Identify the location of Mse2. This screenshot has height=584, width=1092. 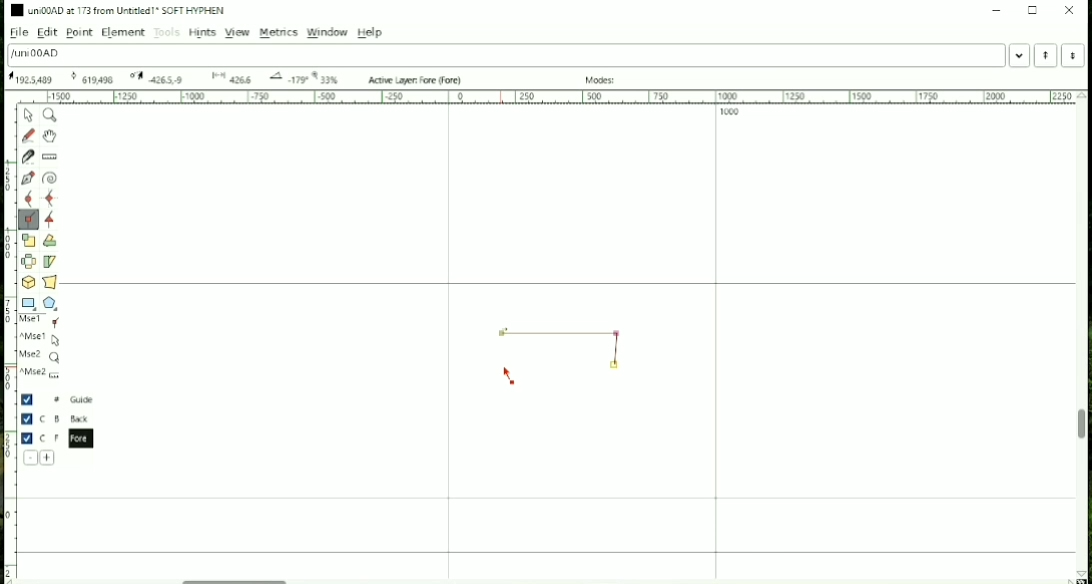
(41, 357).